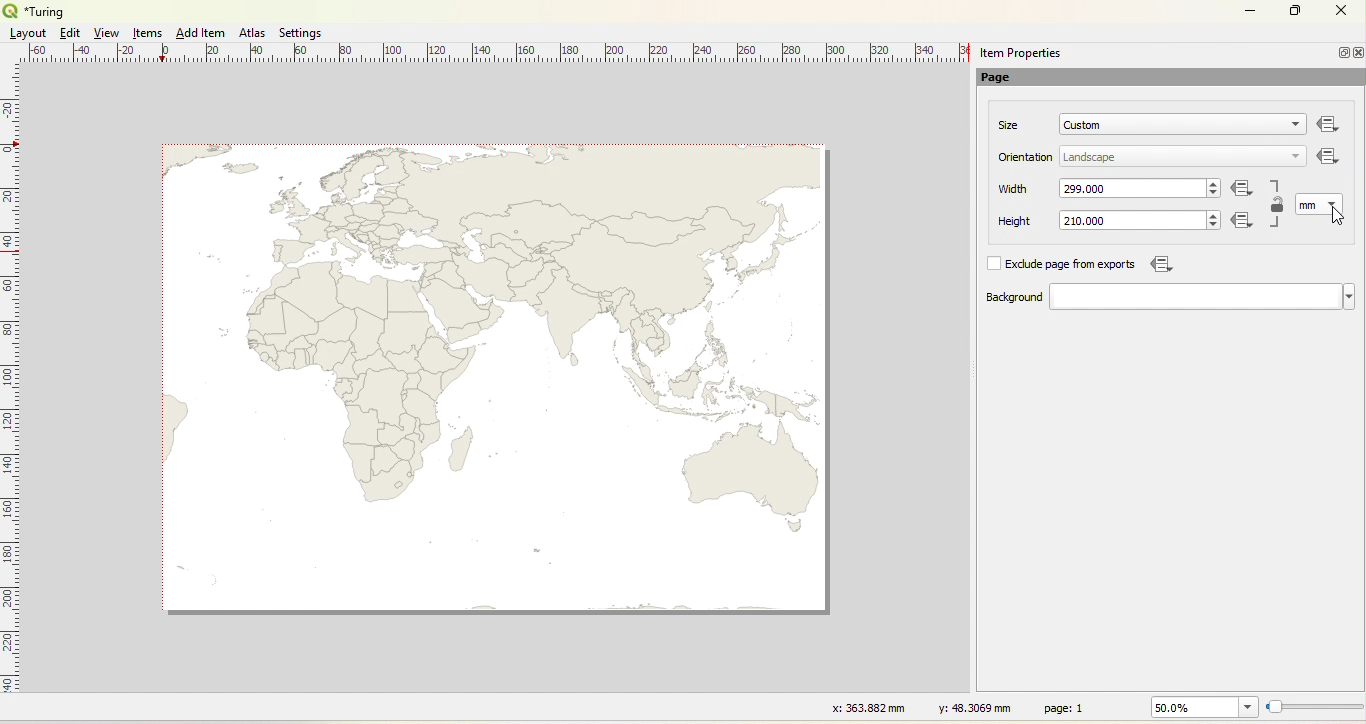 The width and height of the screenshot is (1366, 724). What do you see at coordinates (501, 54) in the screenshot?
I see `Ruler` at bounding box center [501, 54].